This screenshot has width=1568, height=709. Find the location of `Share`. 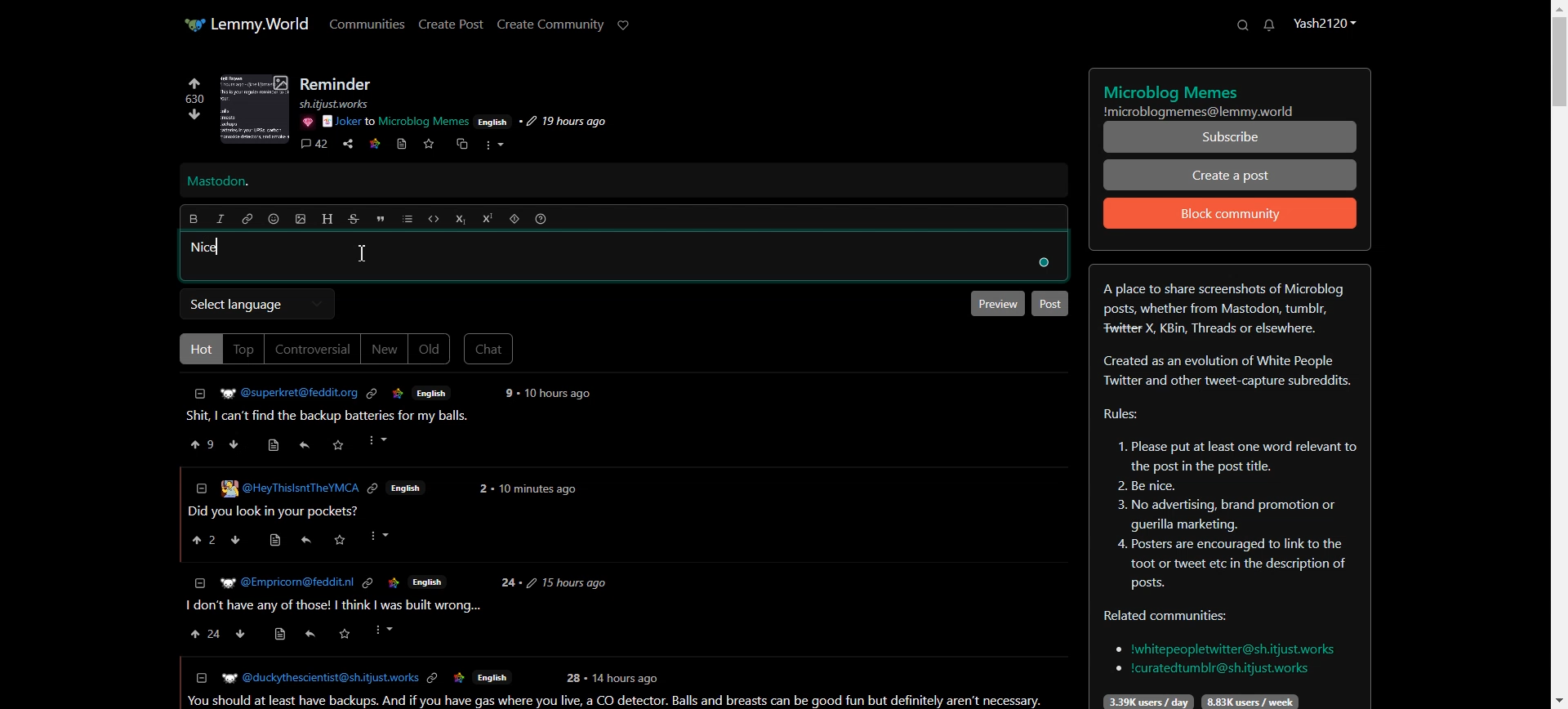

Share is located at coordinates (348, 145).